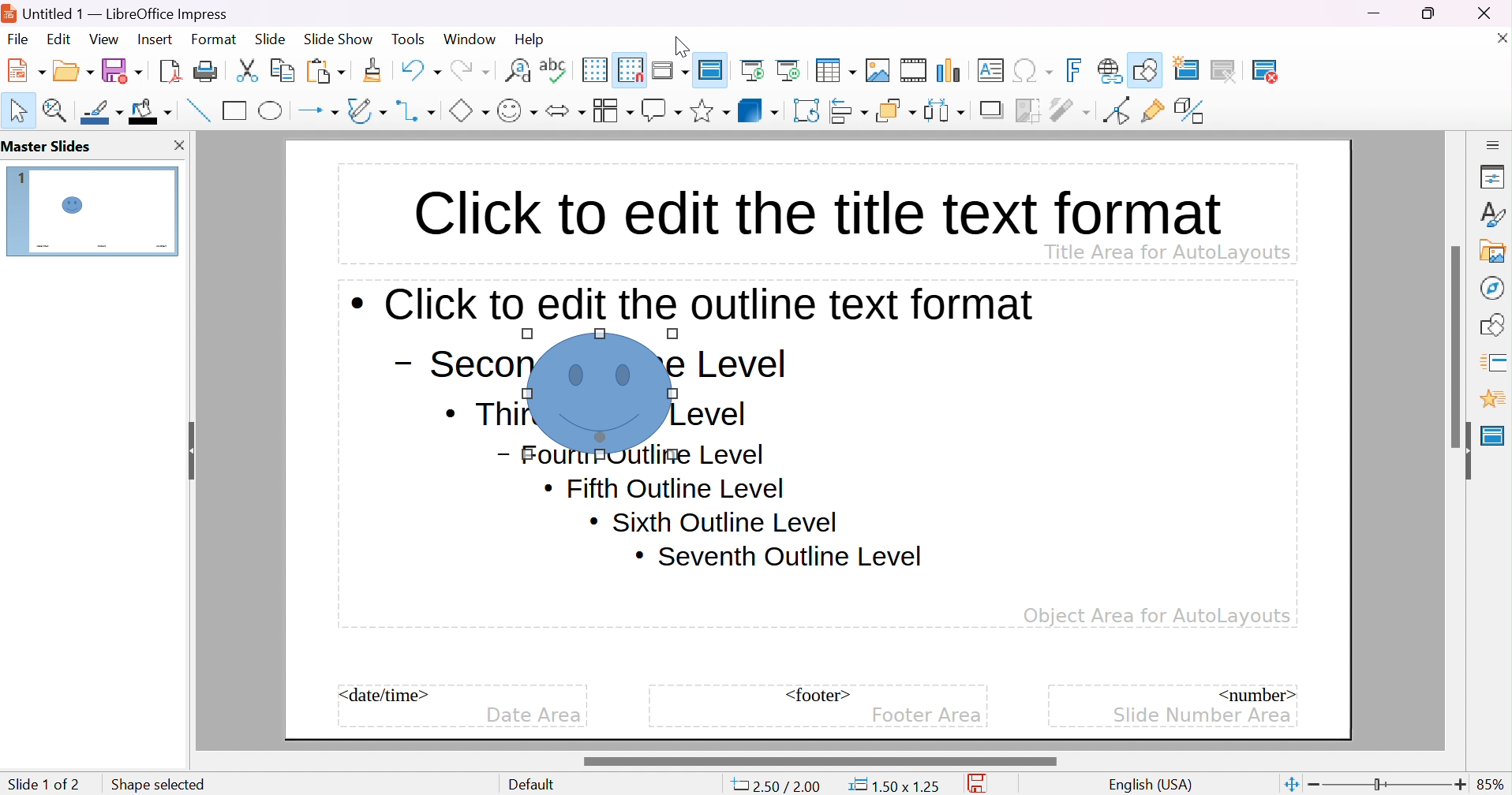 The width and height of the screenshot is (1512, 795). I want to click on animation, so click(1492, 399).